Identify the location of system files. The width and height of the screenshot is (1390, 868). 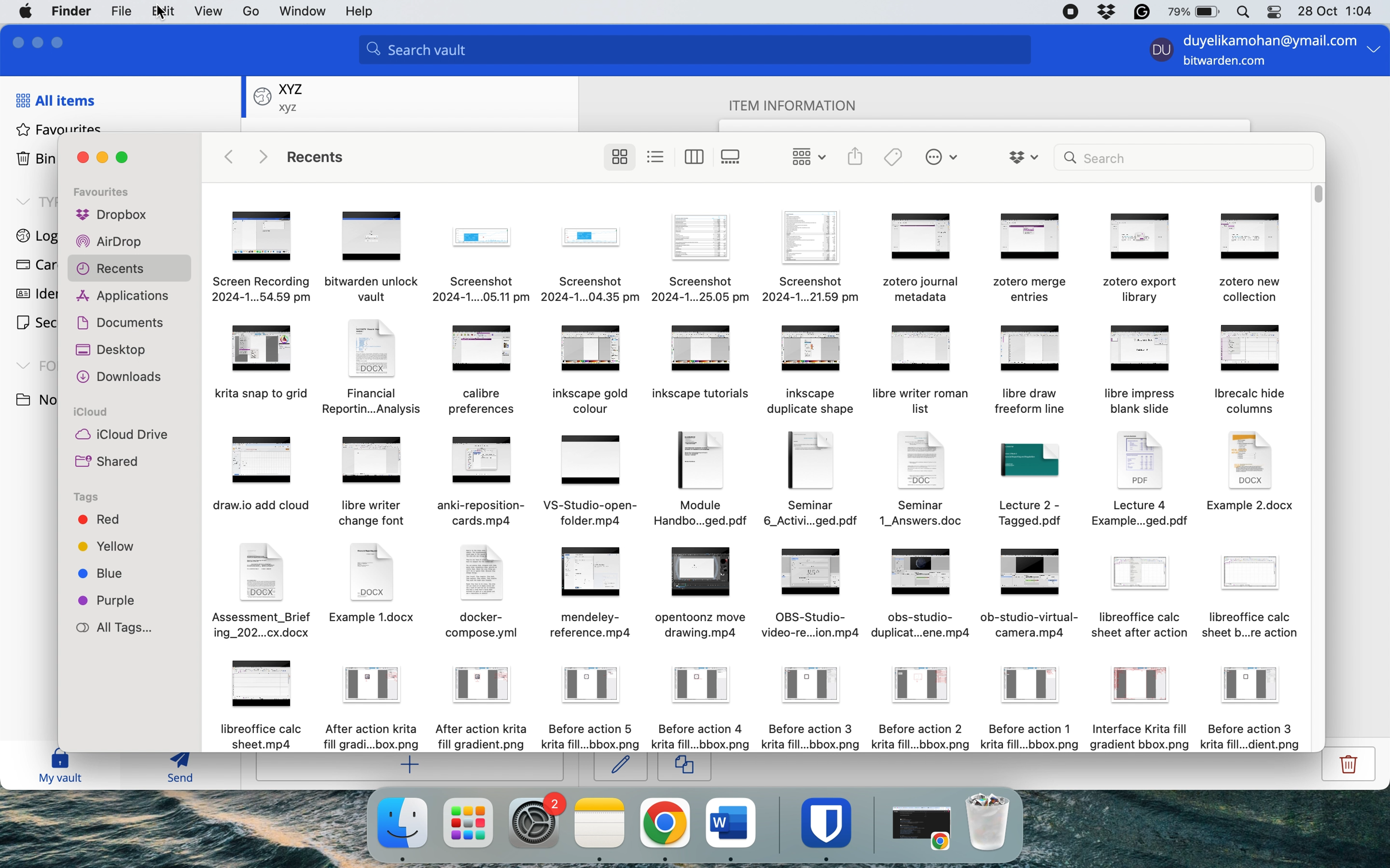
(756, 472).